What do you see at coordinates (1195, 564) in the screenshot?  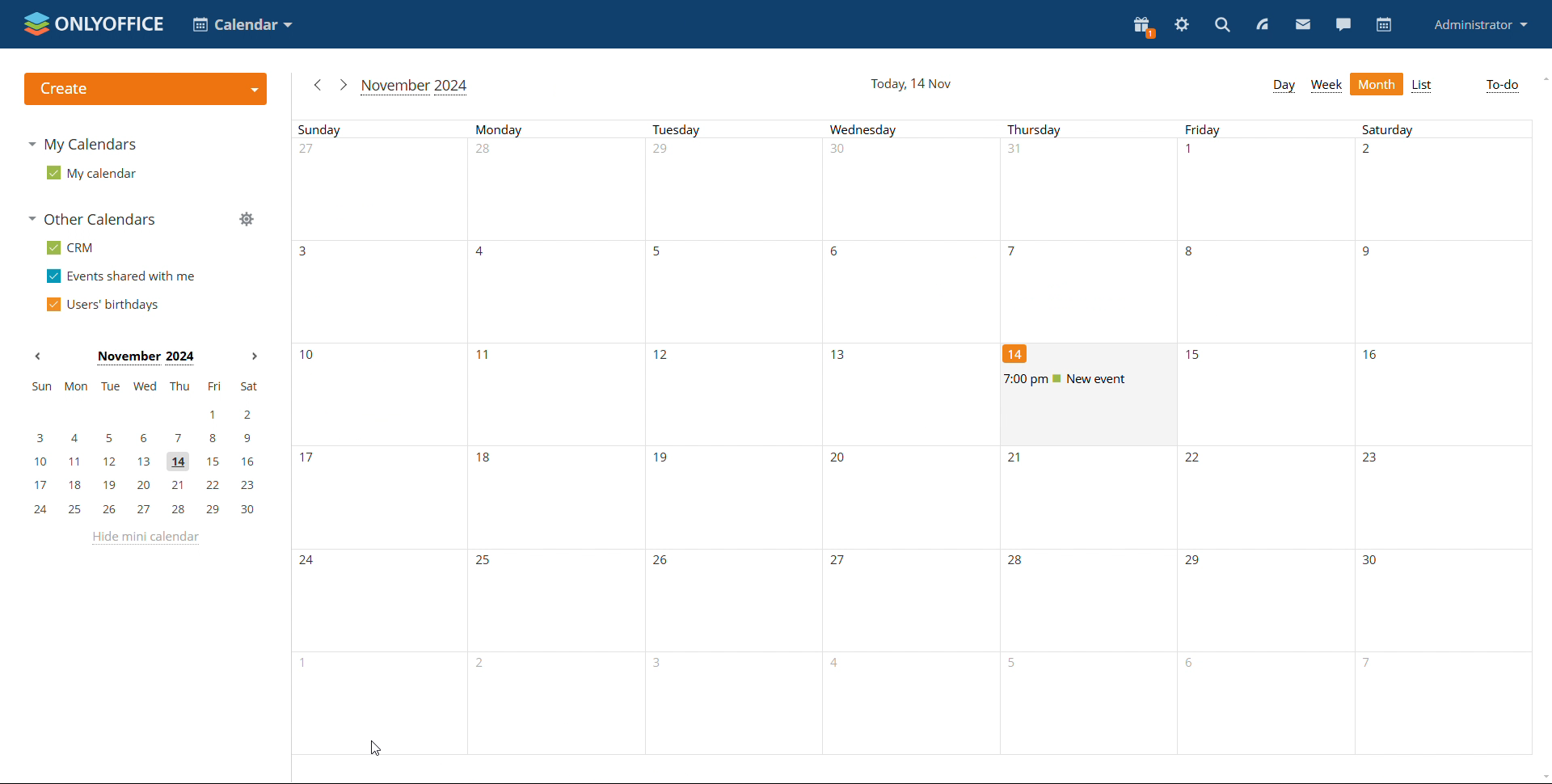 I see `number` at bounding box center [1195, 564].